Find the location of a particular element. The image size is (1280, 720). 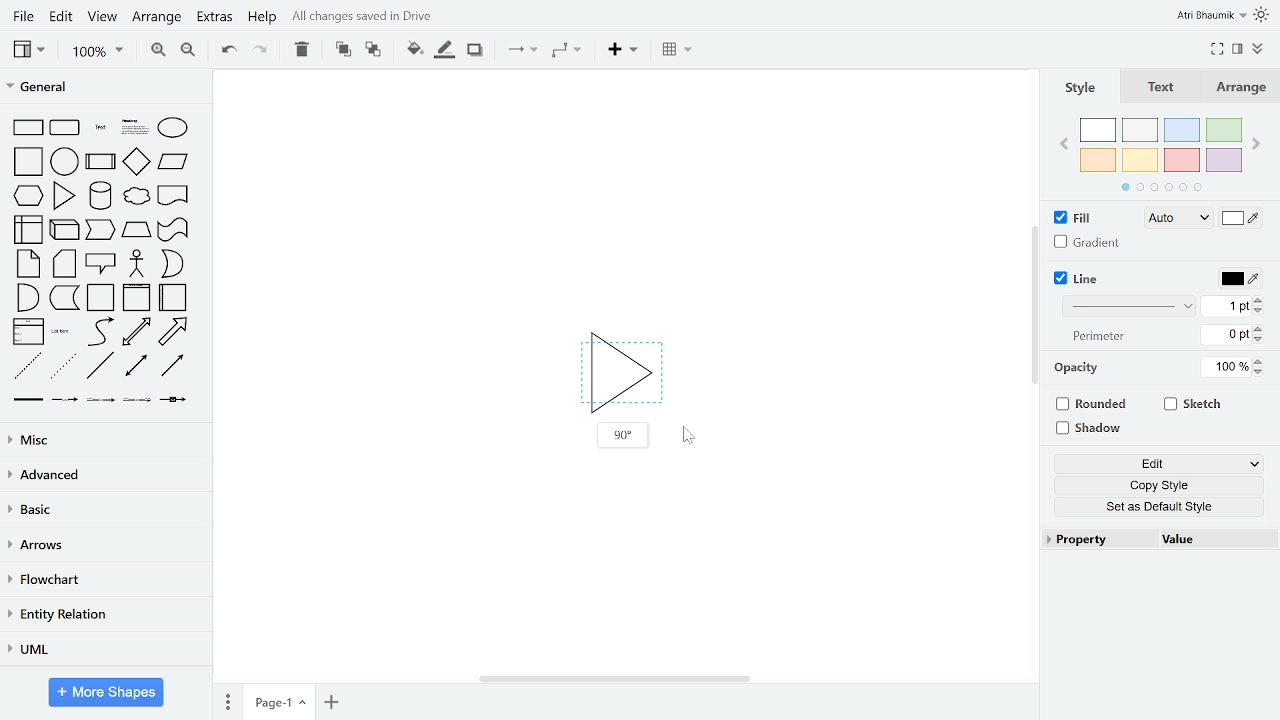

zoom out is located at coordinates (187, 51).